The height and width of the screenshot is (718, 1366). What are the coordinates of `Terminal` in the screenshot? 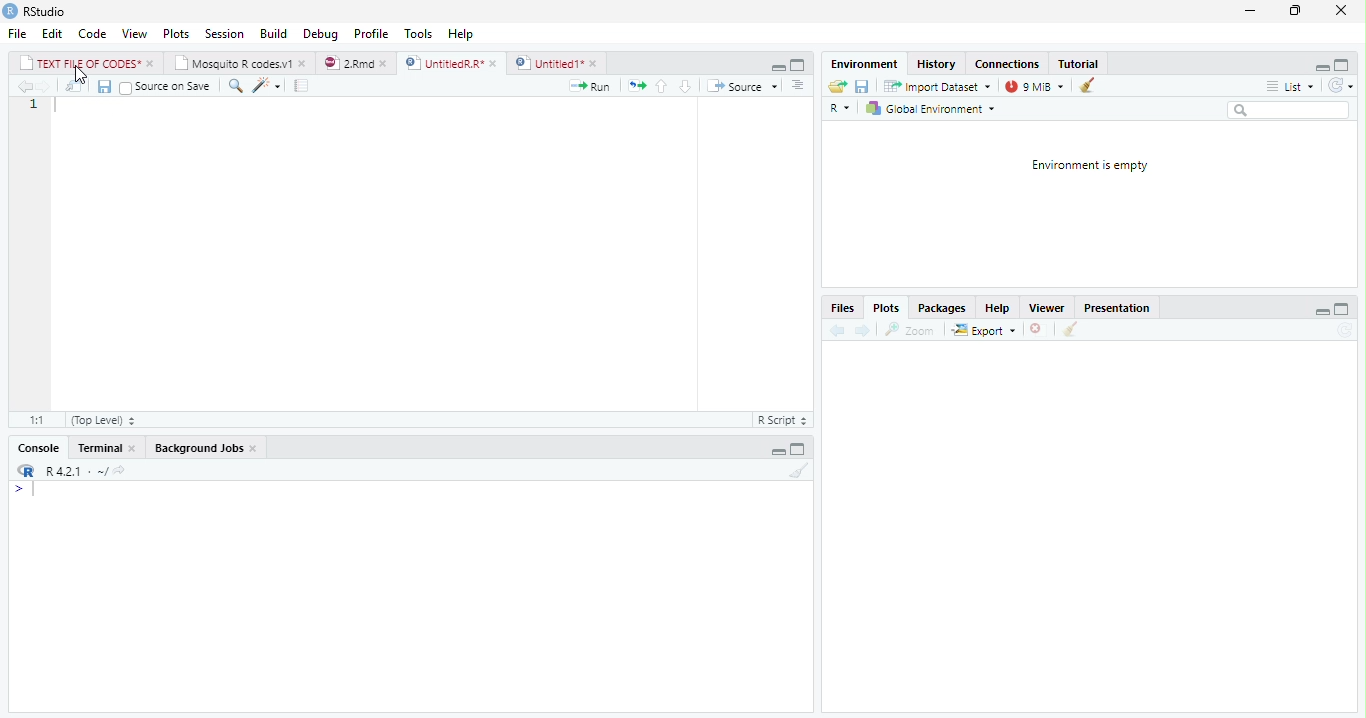 It's located at (105, 447).